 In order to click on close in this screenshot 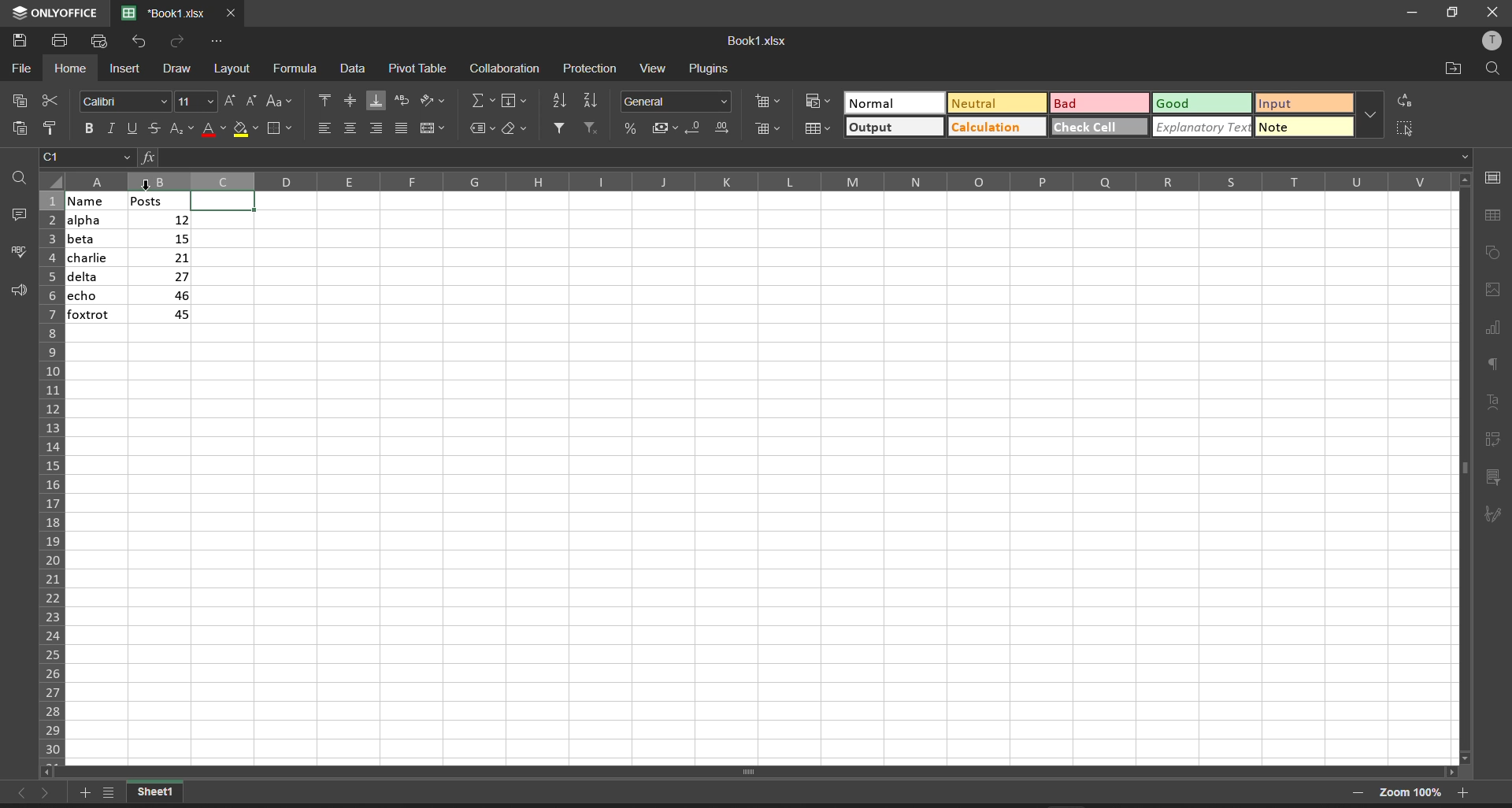, I will do `click(1496, 12)`.